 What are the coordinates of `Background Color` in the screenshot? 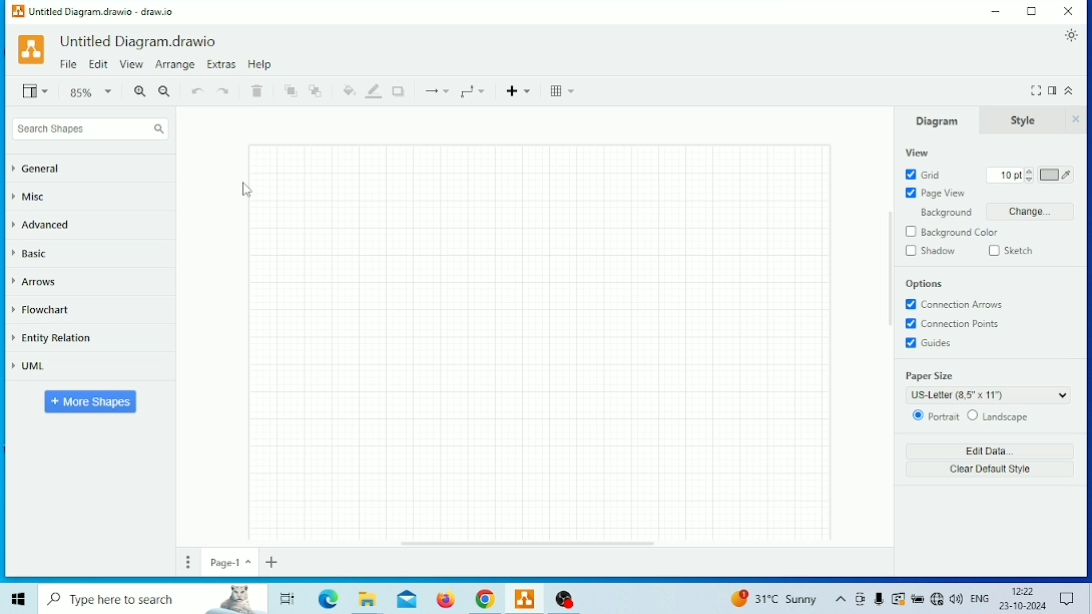 It's located at (952, 232).